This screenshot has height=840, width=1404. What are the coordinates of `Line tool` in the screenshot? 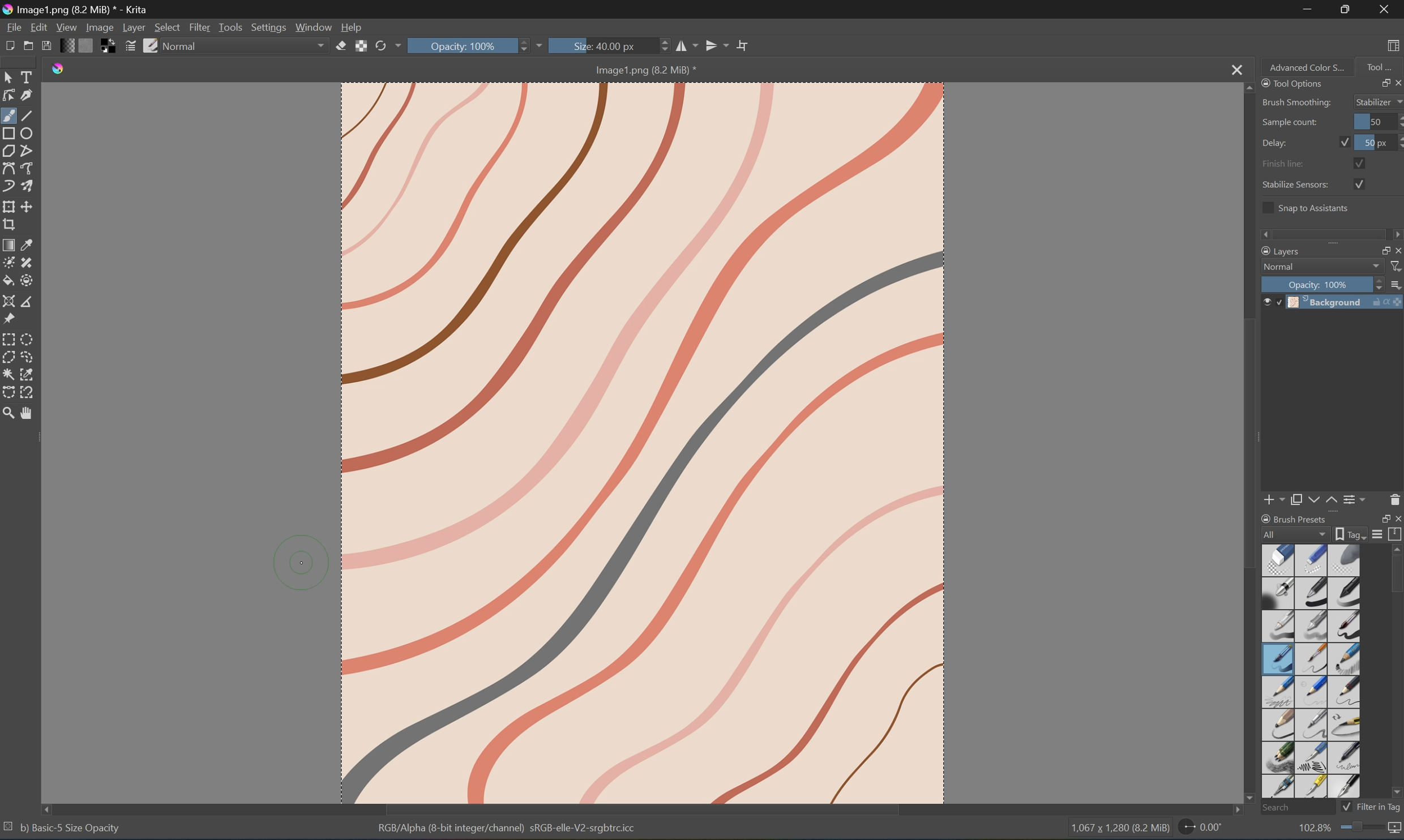 It's located at (28, 115).